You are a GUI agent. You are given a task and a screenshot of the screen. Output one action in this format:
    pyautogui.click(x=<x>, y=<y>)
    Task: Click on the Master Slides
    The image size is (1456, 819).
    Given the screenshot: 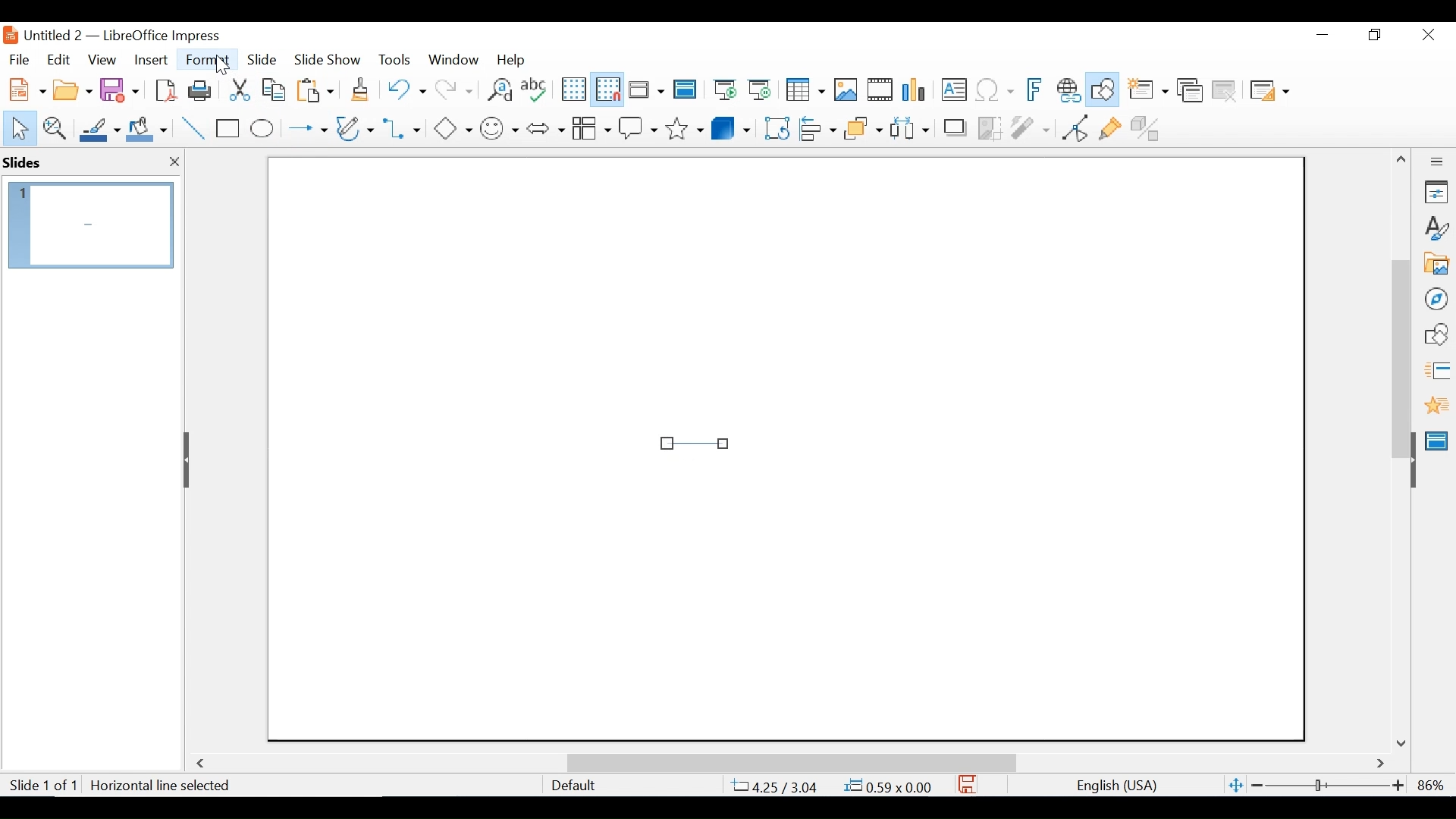 What is the action you would take?
    pyautogui.click(x=686, y=91)
    